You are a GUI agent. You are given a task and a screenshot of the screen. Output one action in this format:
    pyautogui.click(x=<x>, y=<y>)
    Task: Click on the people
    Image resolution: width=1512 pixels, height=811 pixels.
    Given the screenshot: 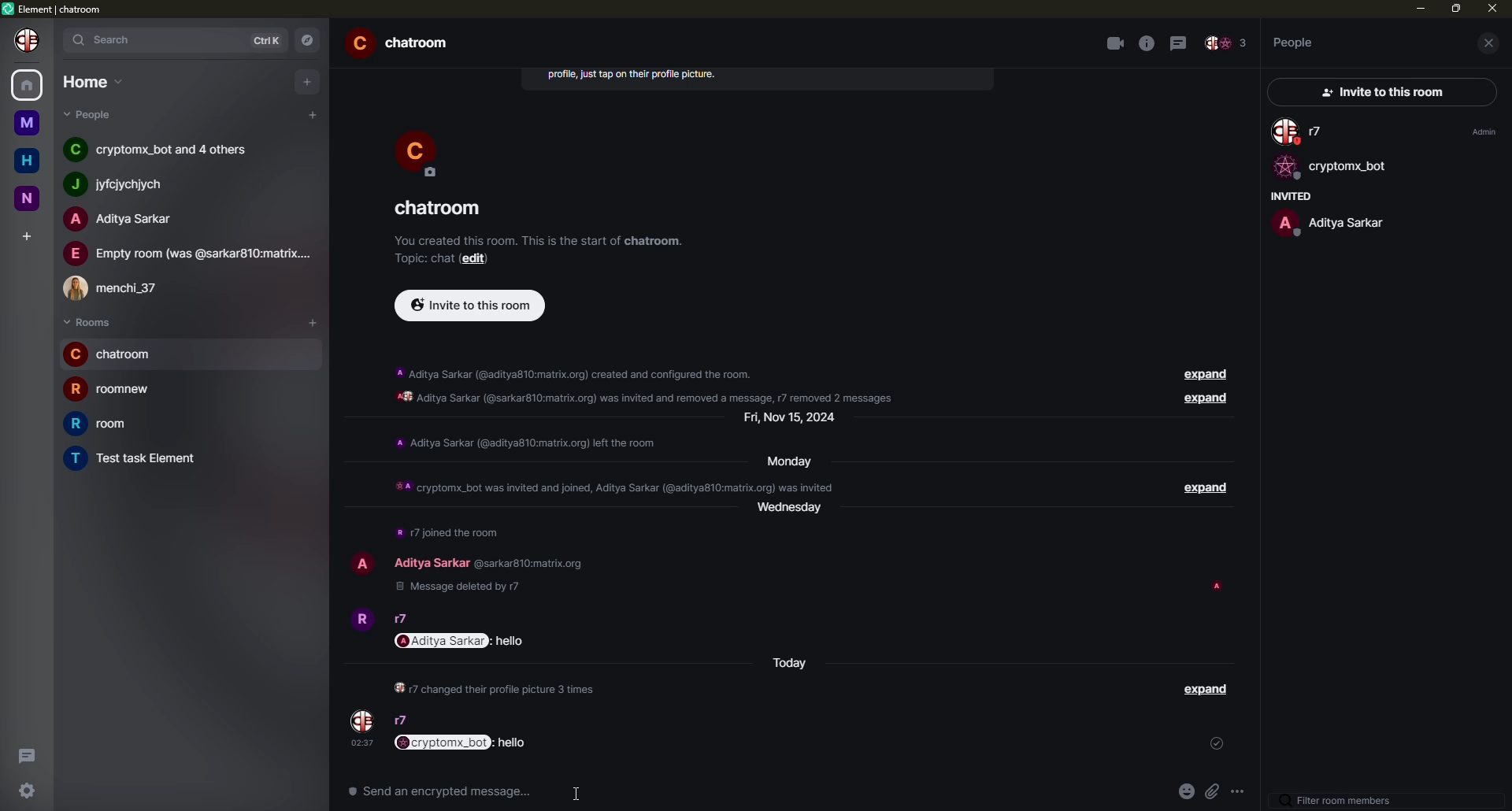 What is the action you would take?
    pyautogui.click(x=119, y=219)
    